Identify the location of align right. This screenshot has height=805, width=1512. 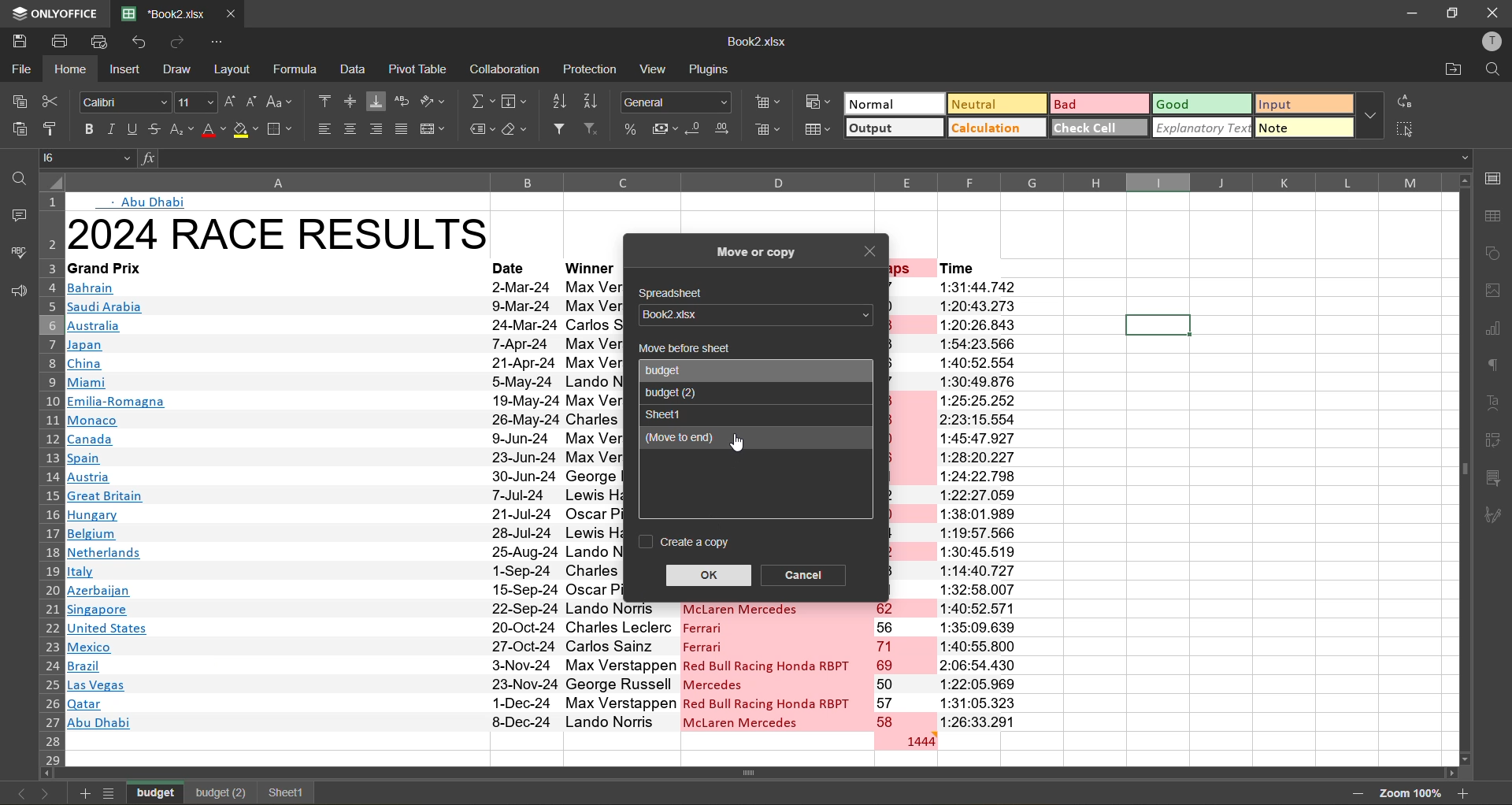
(379, 129).